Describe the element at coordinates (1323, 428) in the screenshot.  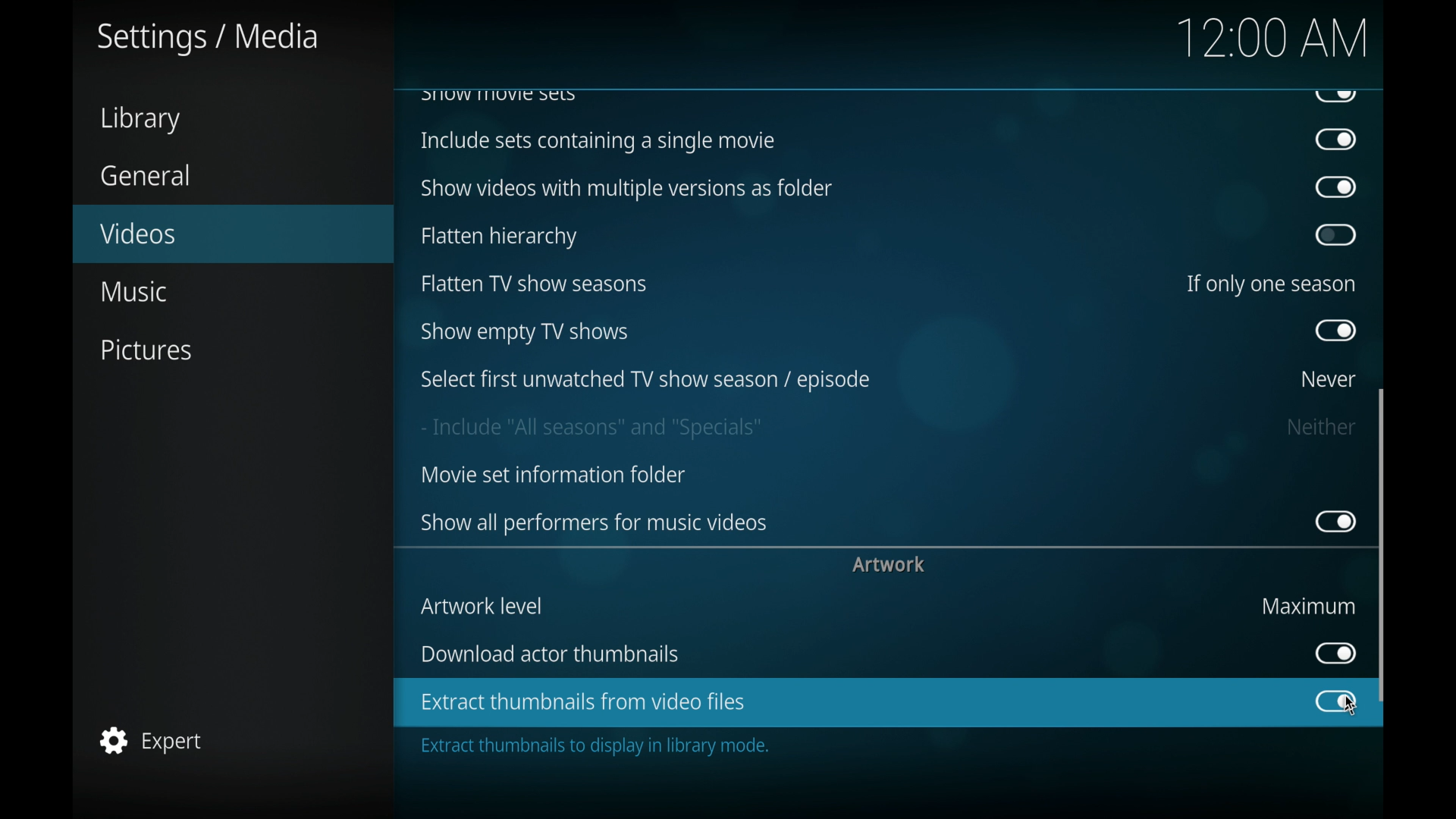
I see `neither` at that location.